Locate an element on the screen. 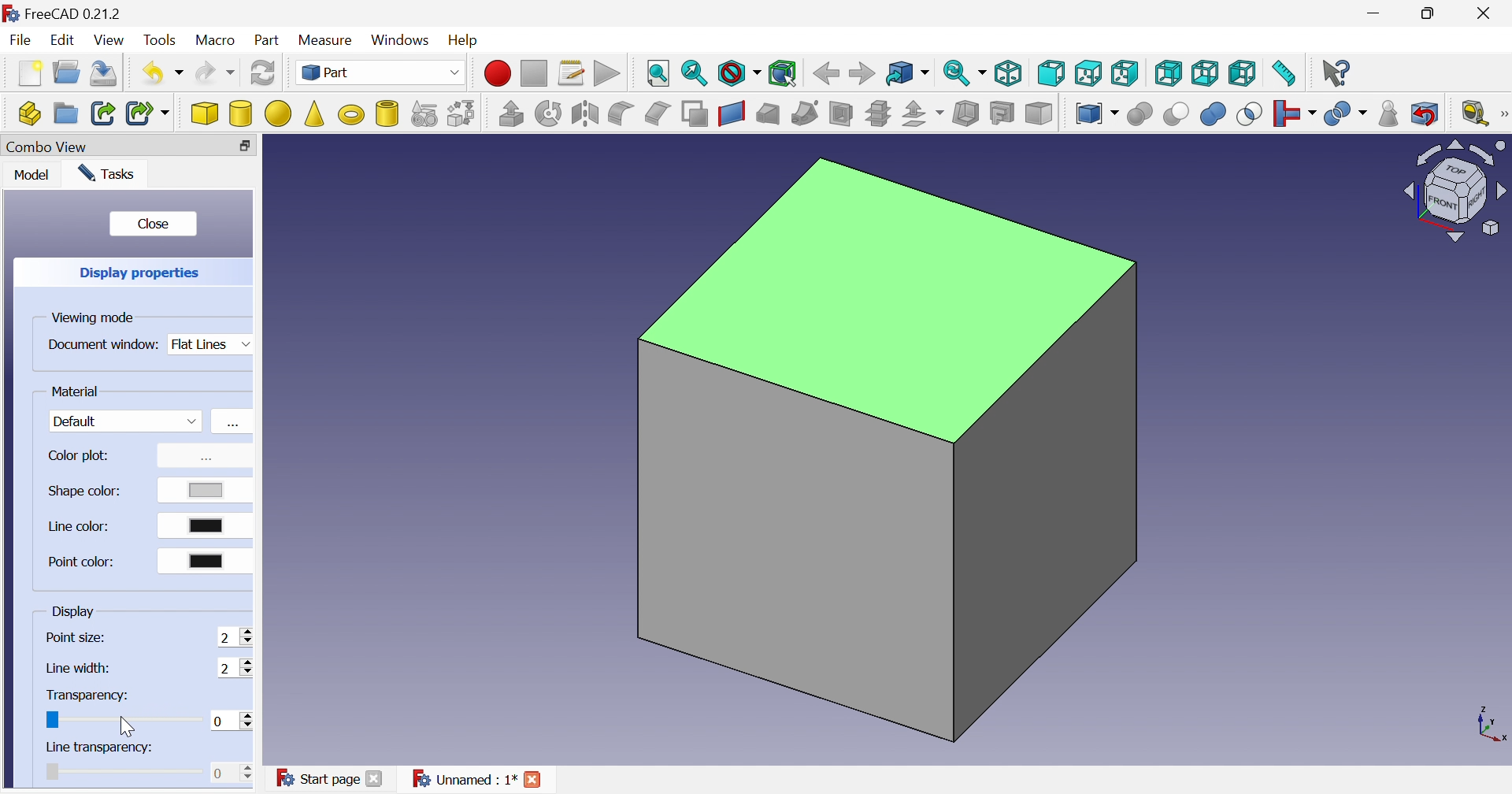  0 is located at coordinates (230, 721).